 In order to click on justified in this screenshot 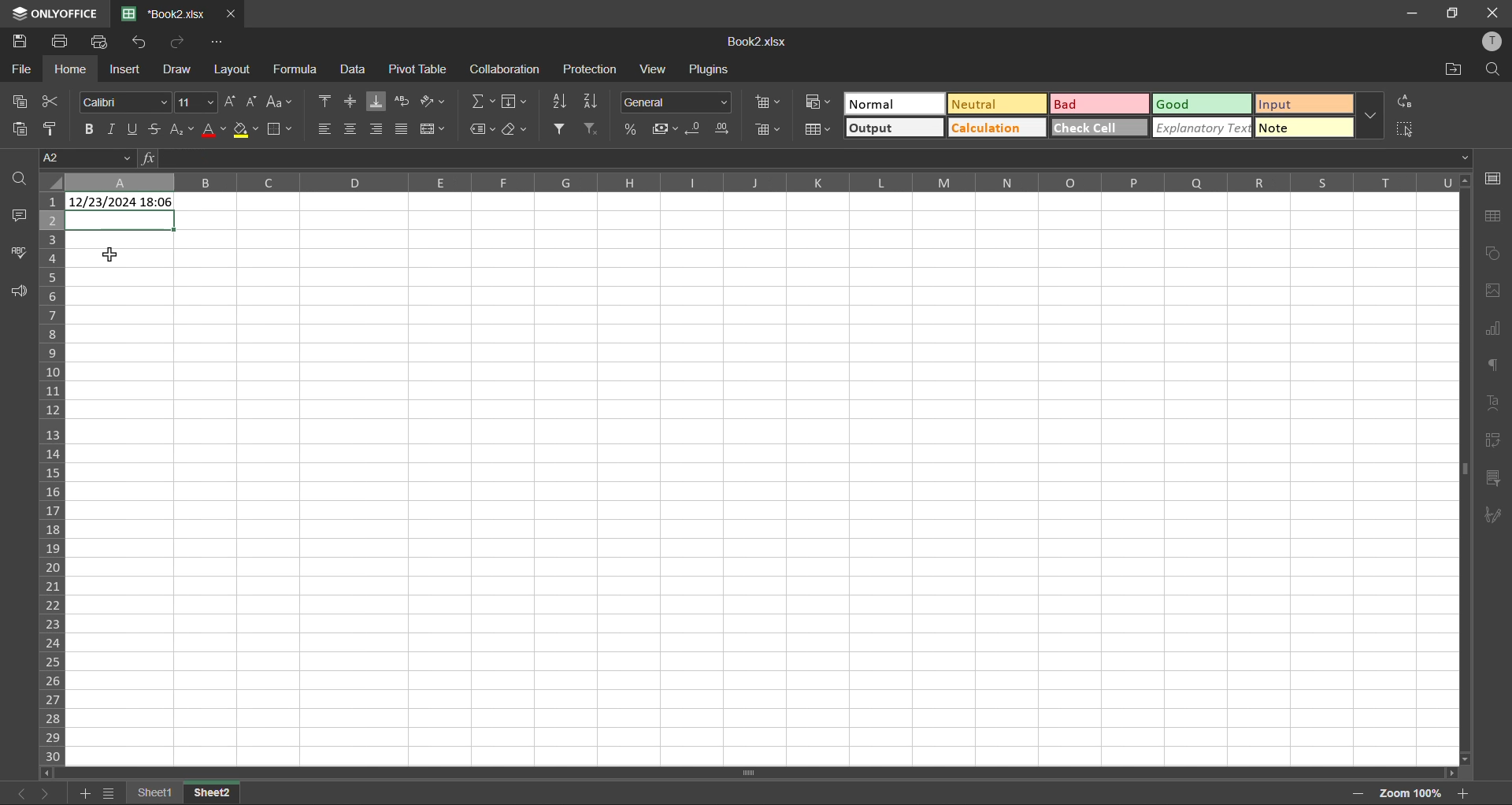, I will do `click(403, 128)`.